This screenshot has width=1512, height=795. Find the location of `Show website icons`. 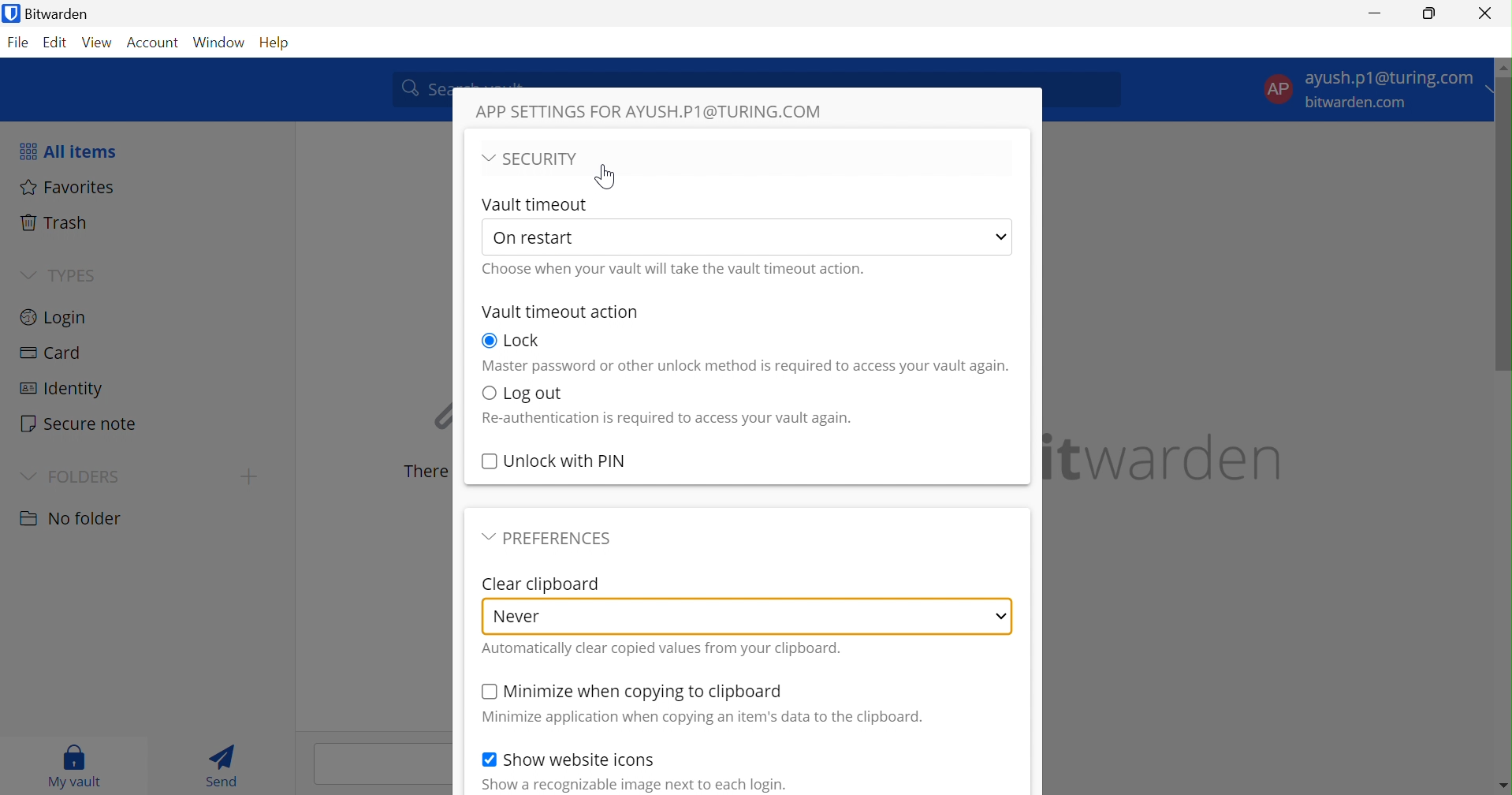

Show website icons is located at coordinates (581, 760).